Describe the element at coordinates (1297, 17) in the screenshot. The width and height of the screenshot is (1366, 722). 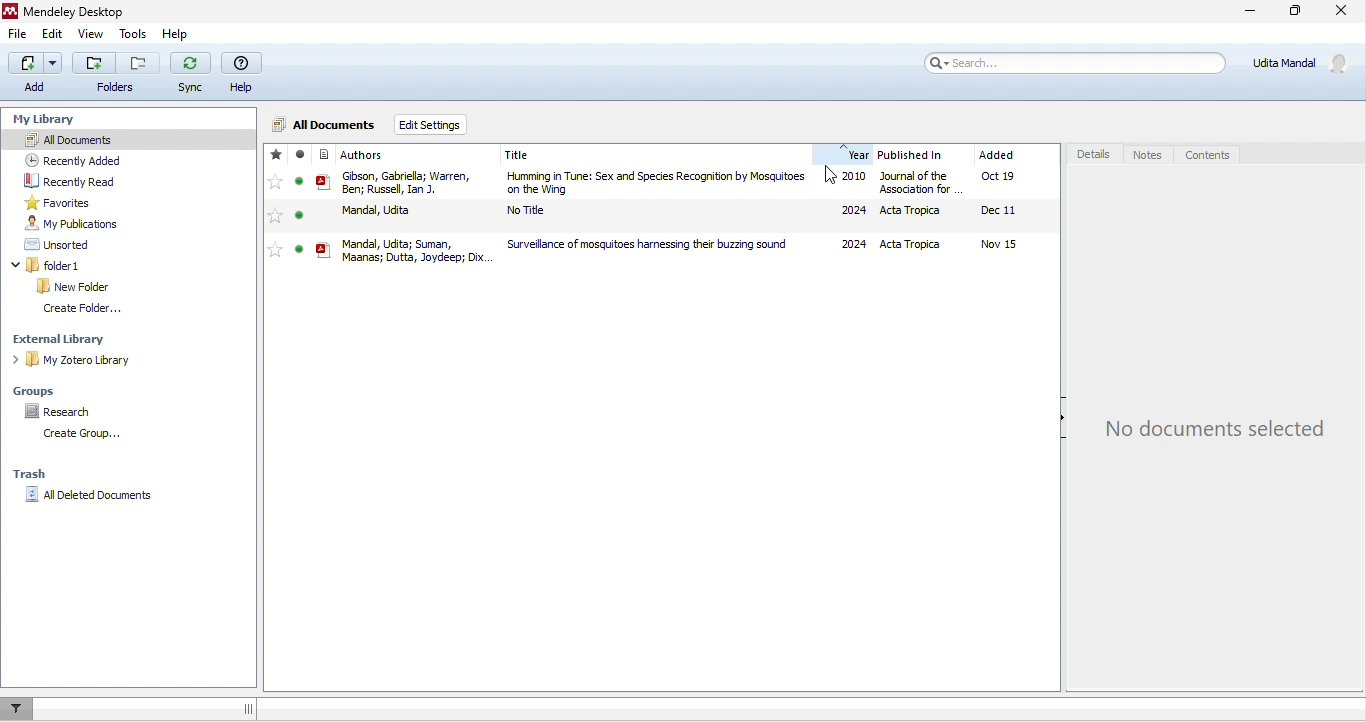
I see `maximize` at that location.